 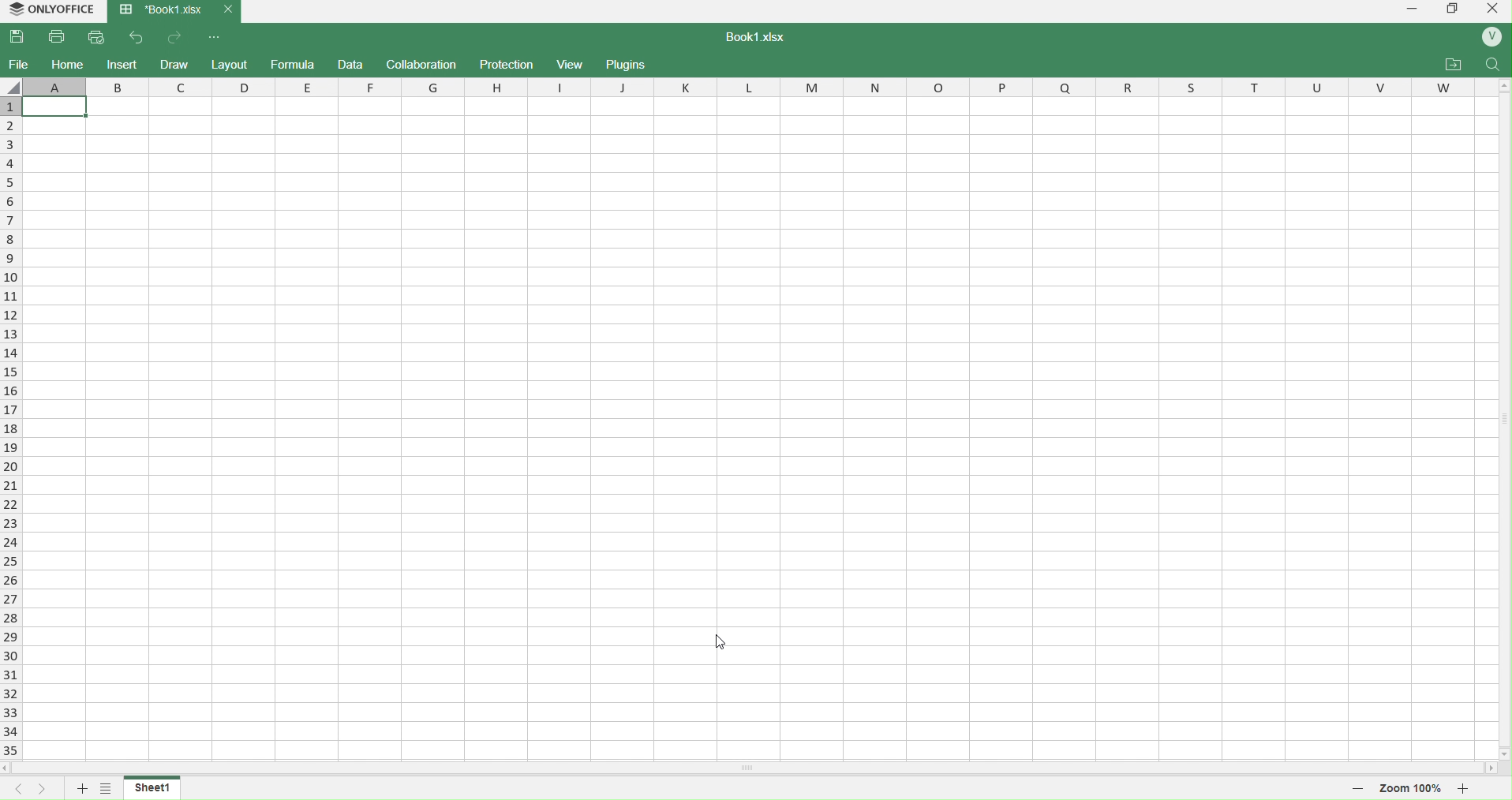 I want to click on column, so click(x=759, y=86).